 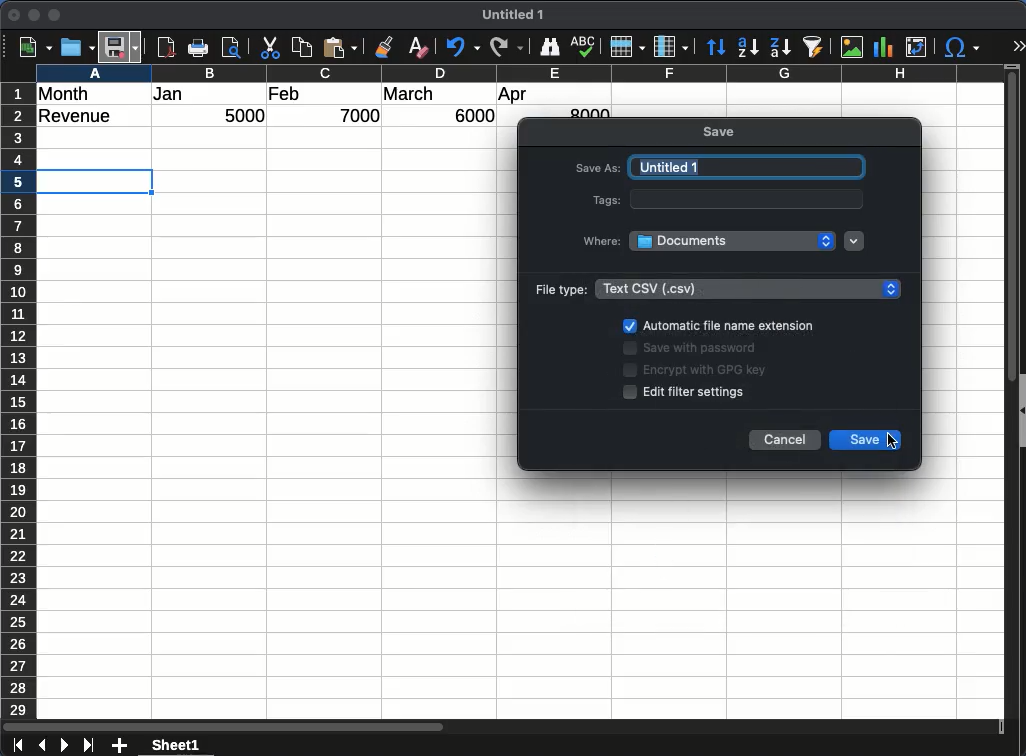 I want to click on Checkbox, so click(x=630, y=370).